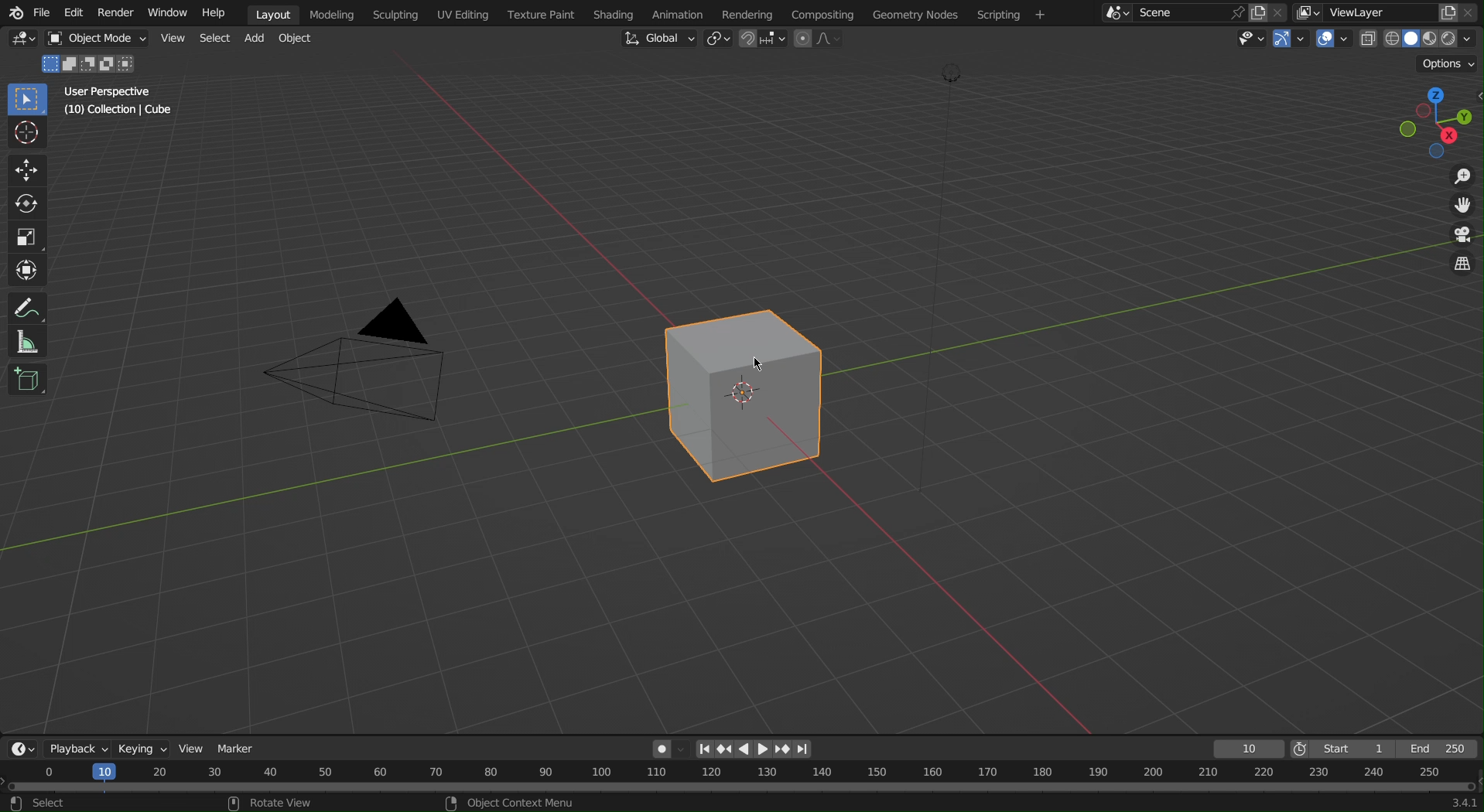 Image resolution: width=1484 pixels, height=812 pixels. I want to click on Measure, so click(26, 343).